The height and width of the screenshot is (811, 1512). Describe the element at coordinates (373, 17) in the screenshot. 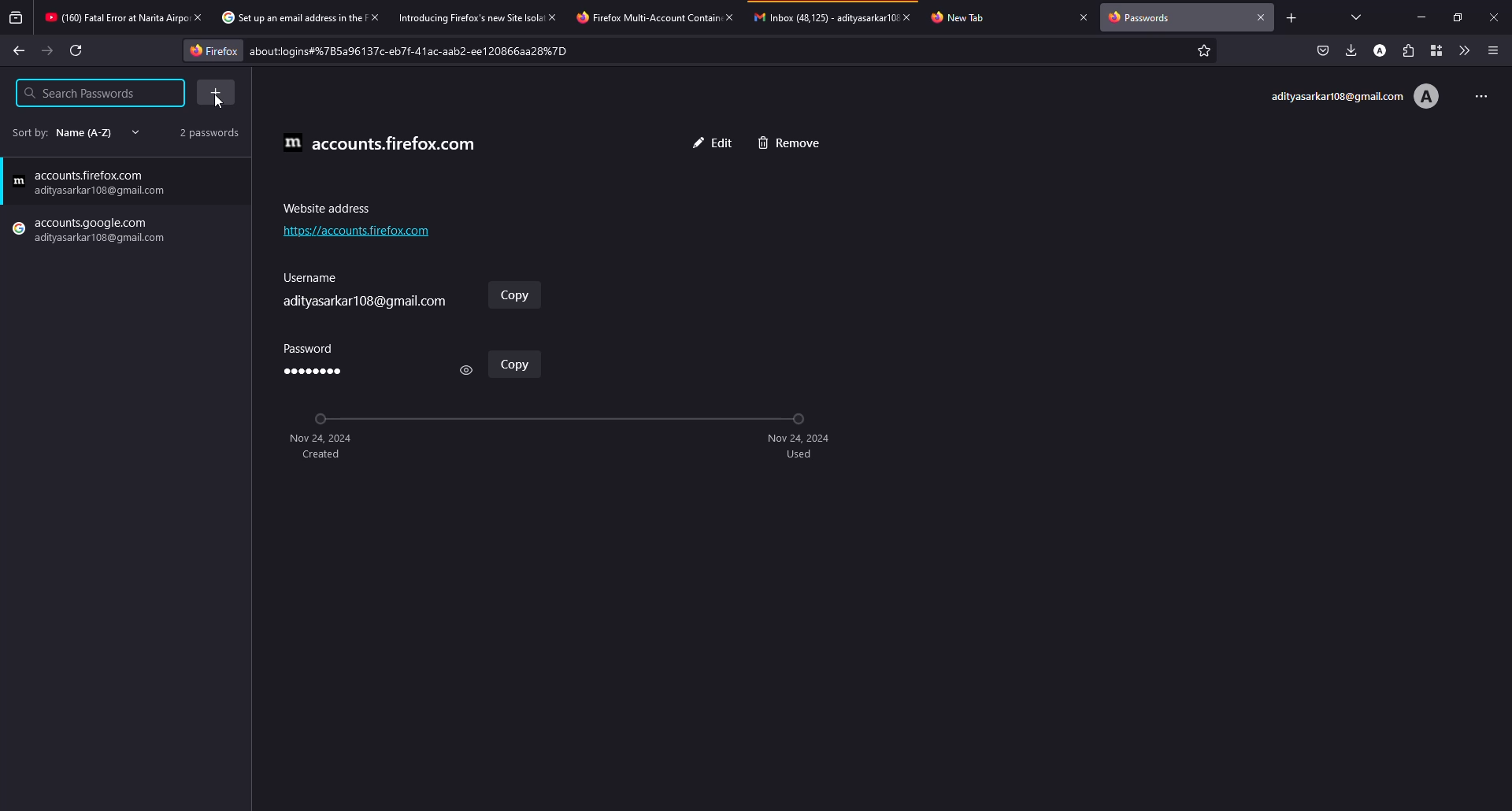

I see `close` at that location.